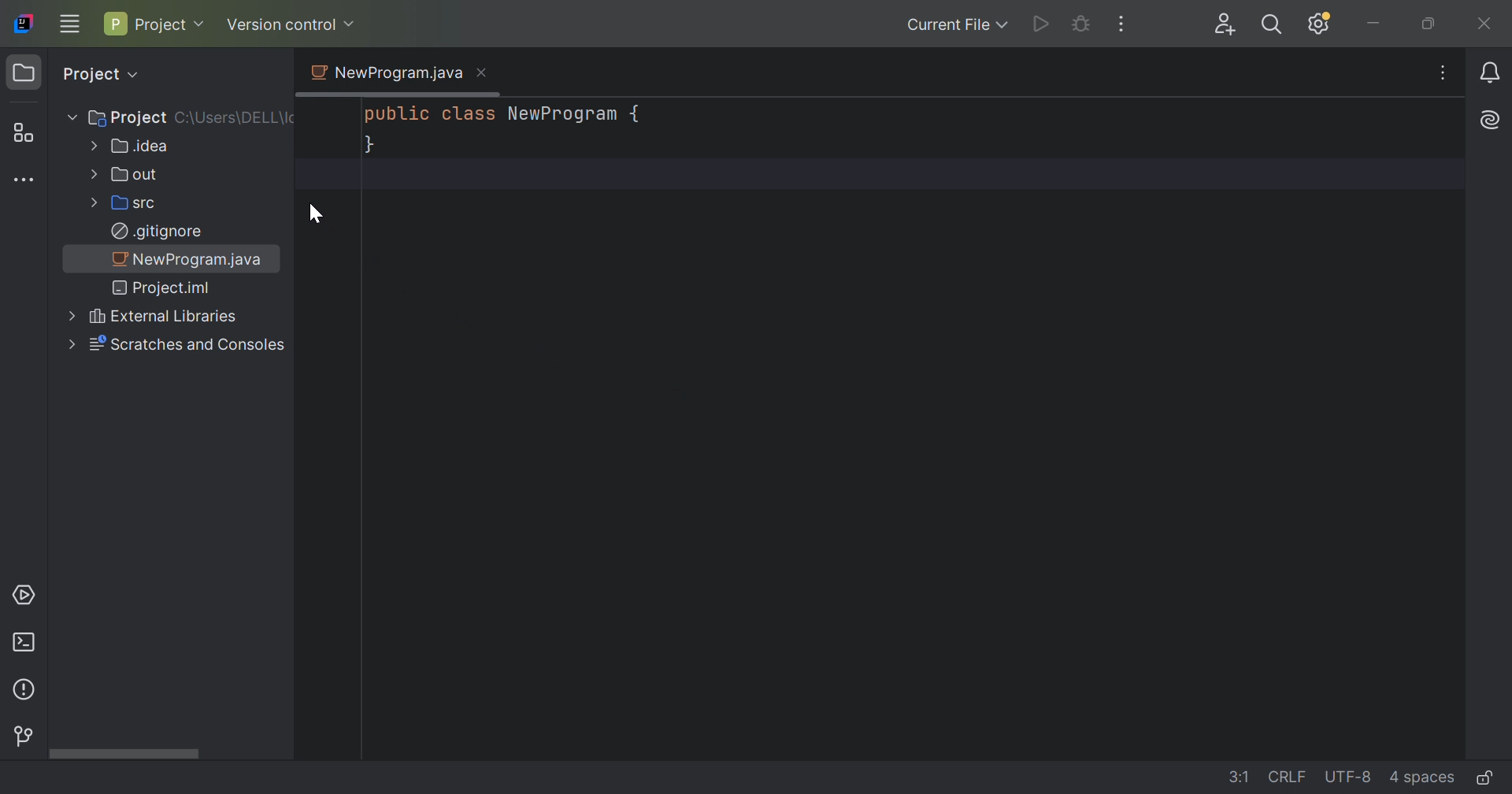 The height and width of the screenshot is (794, 1512). Describe the element at coordinates (190, 345) in the screenshot. I see `Scratches and Consoles` at that location.